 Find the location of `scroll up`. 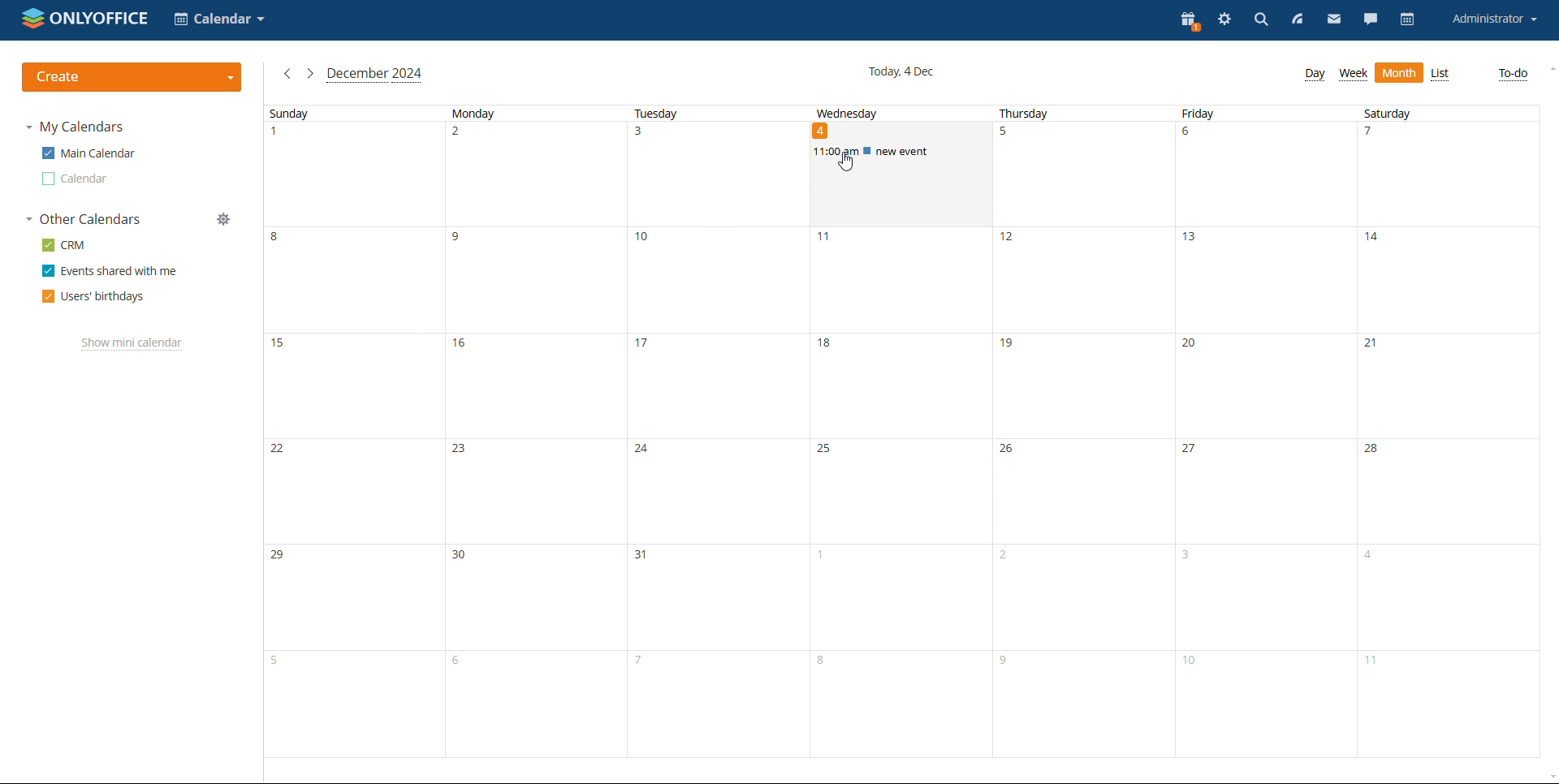

scroll up is located at coordinates (1549, 70).